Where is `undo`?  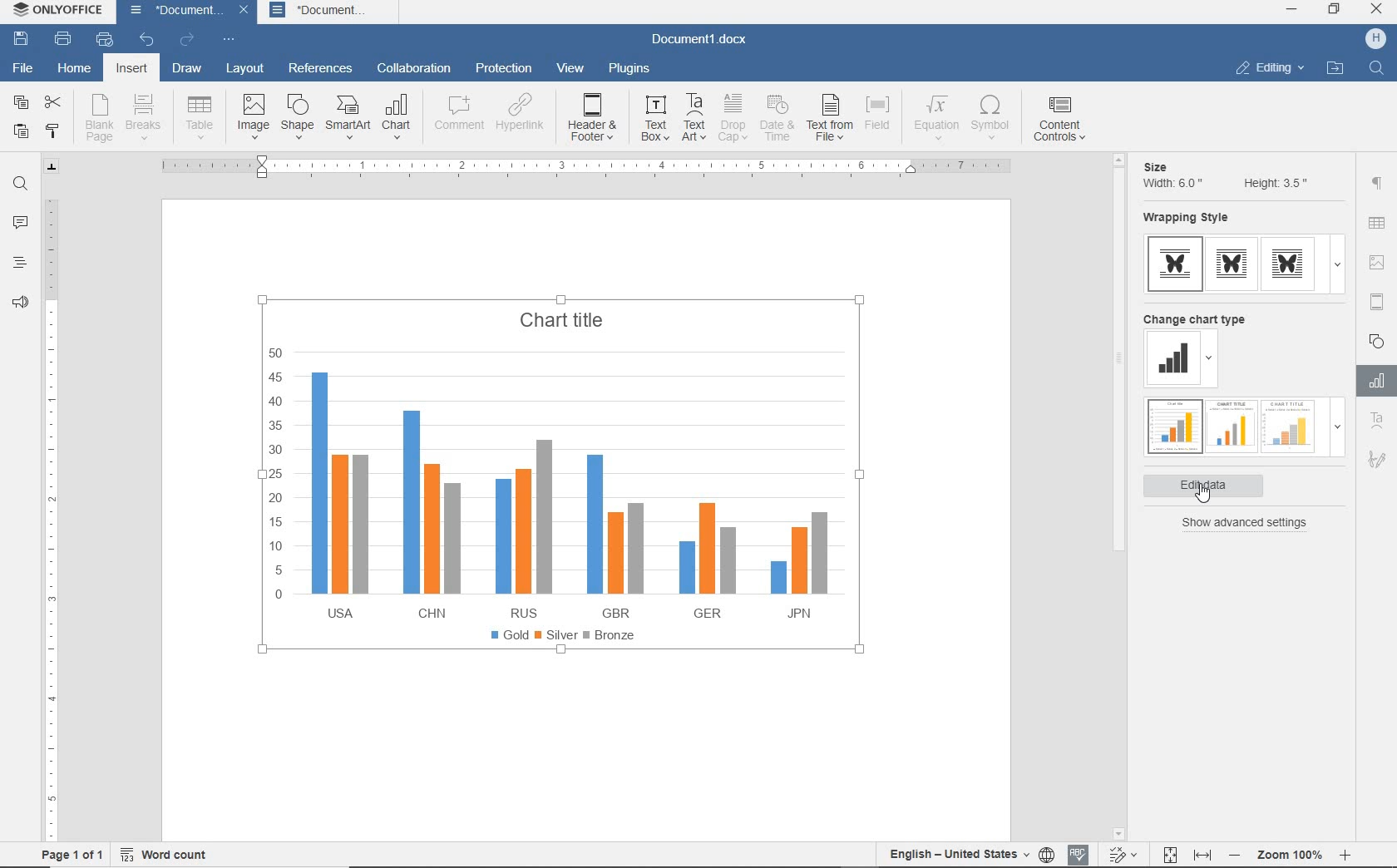 undo is located at coordinates (146, 41).